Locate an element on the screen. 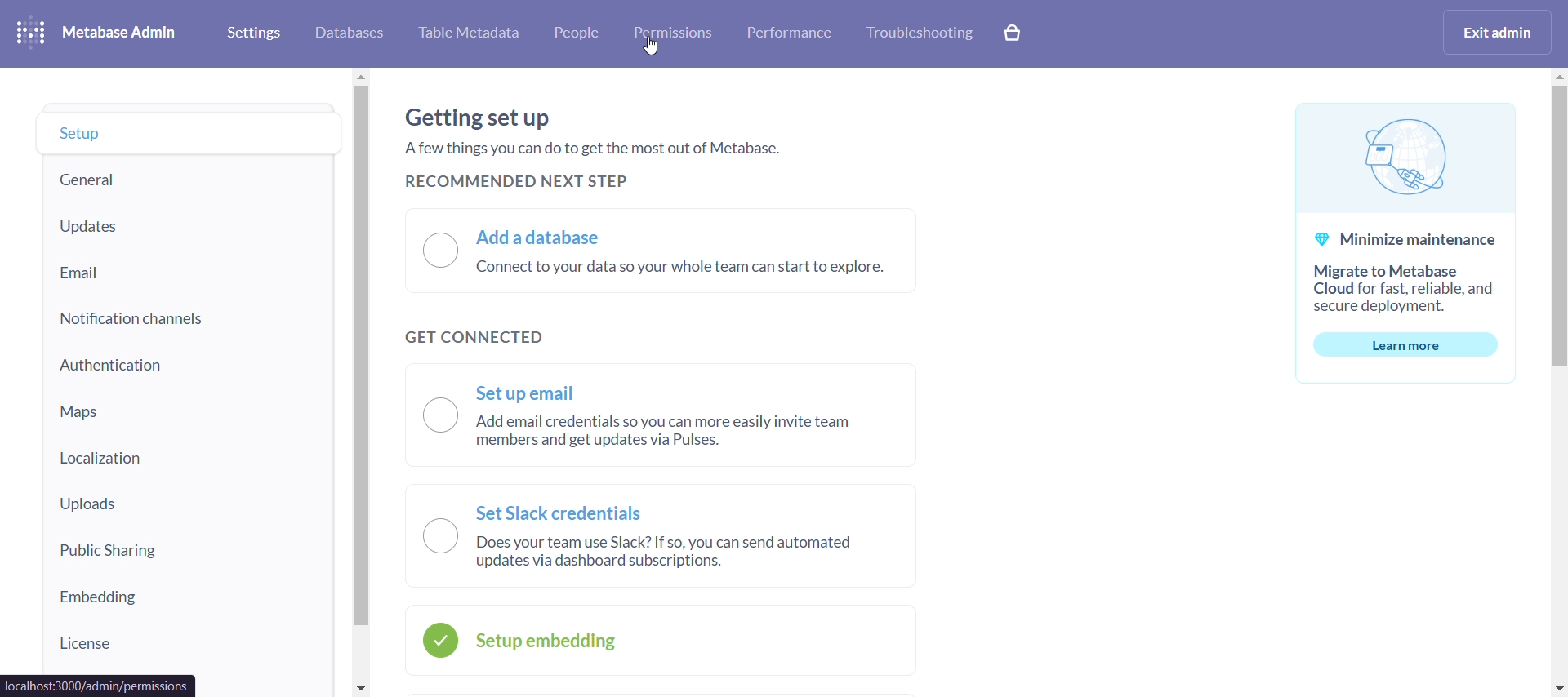  setup is located at coordinates (181, 130).